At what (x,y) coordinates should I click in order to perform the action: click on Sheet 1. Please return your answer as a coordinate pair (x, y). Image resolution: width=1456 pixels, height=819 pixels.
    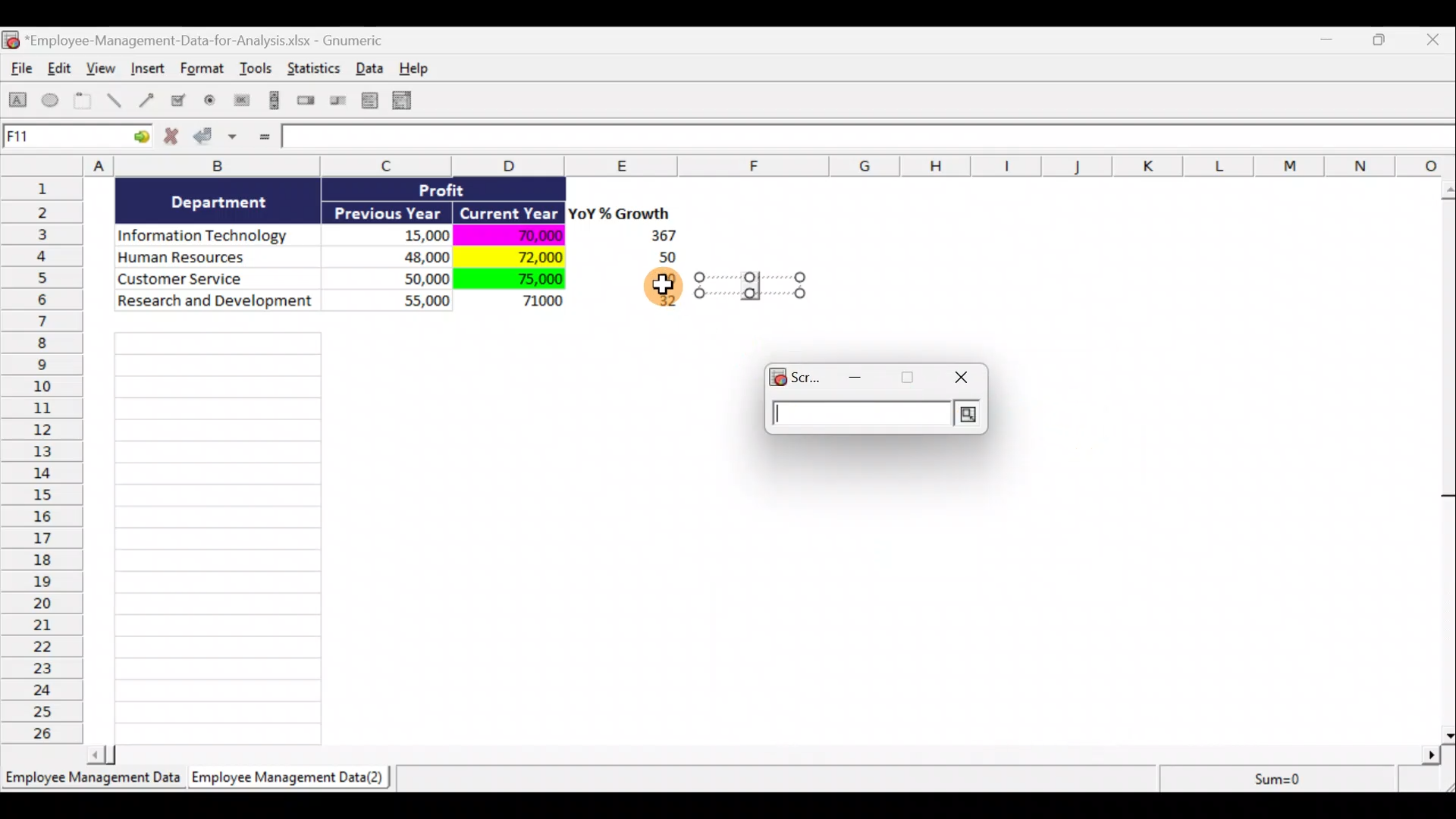
    Looking at the image, I should click on (95, 783).